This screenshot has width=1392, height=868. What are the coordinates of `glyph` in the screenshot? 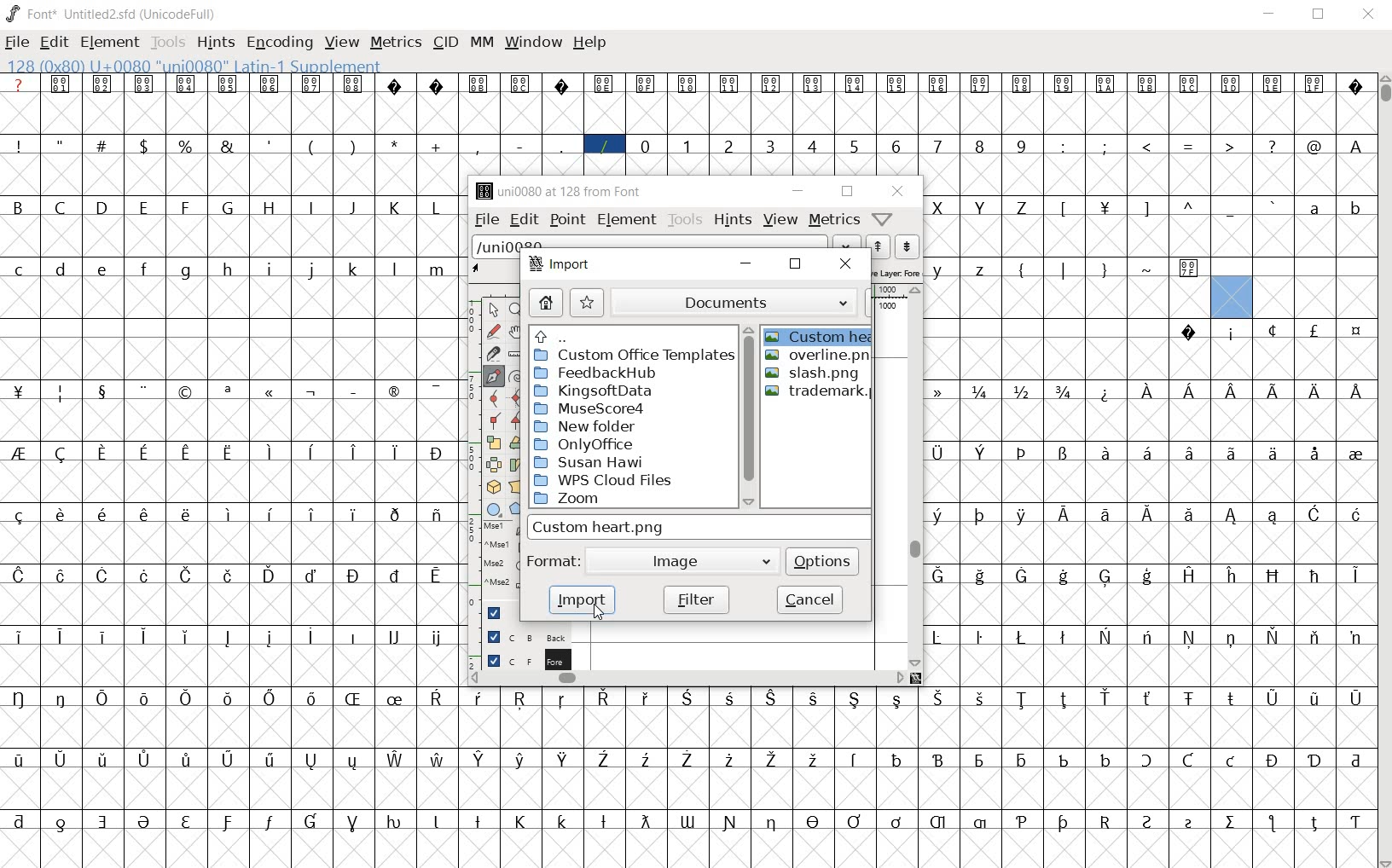 It's located at (187, 637).